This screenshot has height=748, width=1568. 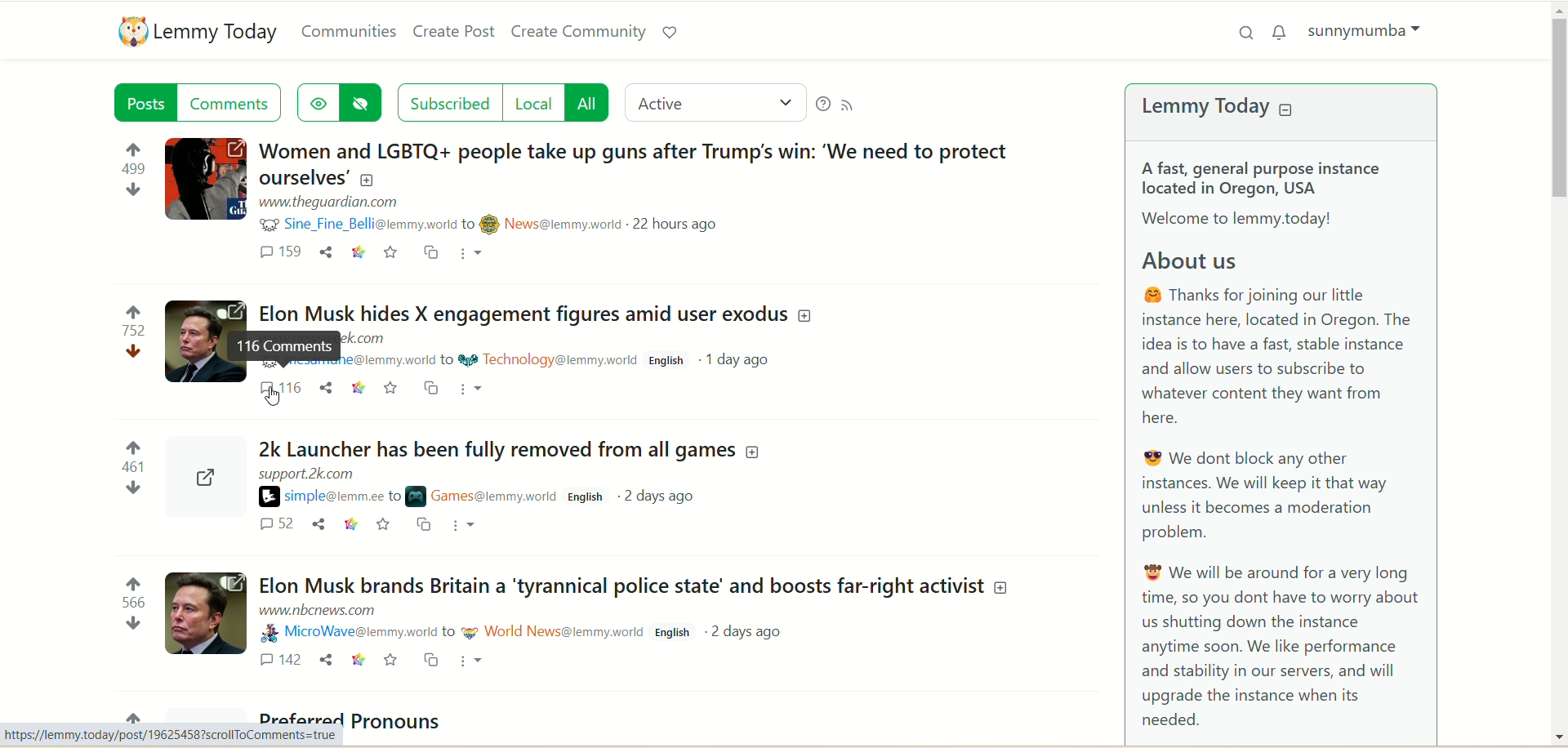 I want to click on hide hidden post, so click(x=360, y=103).